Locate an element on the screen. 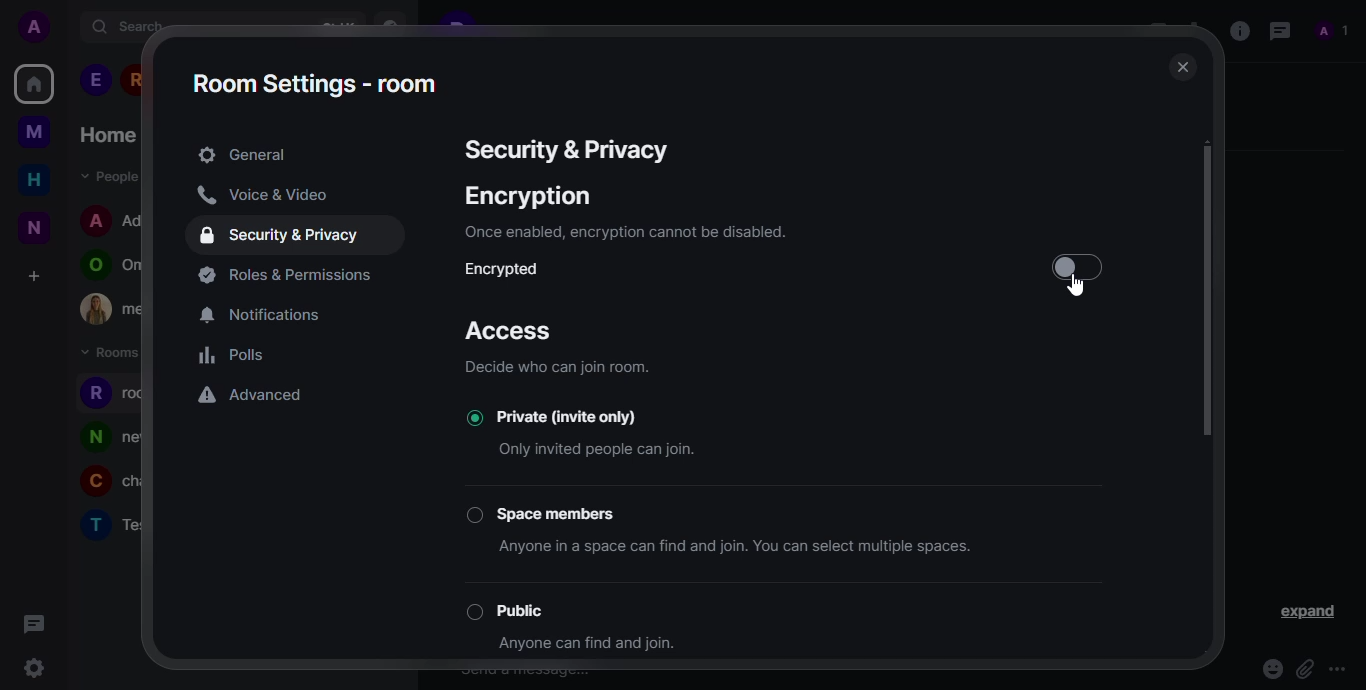 This screenshot has height=690, width=1366. click to enable is located at coordinates (1076, 265).